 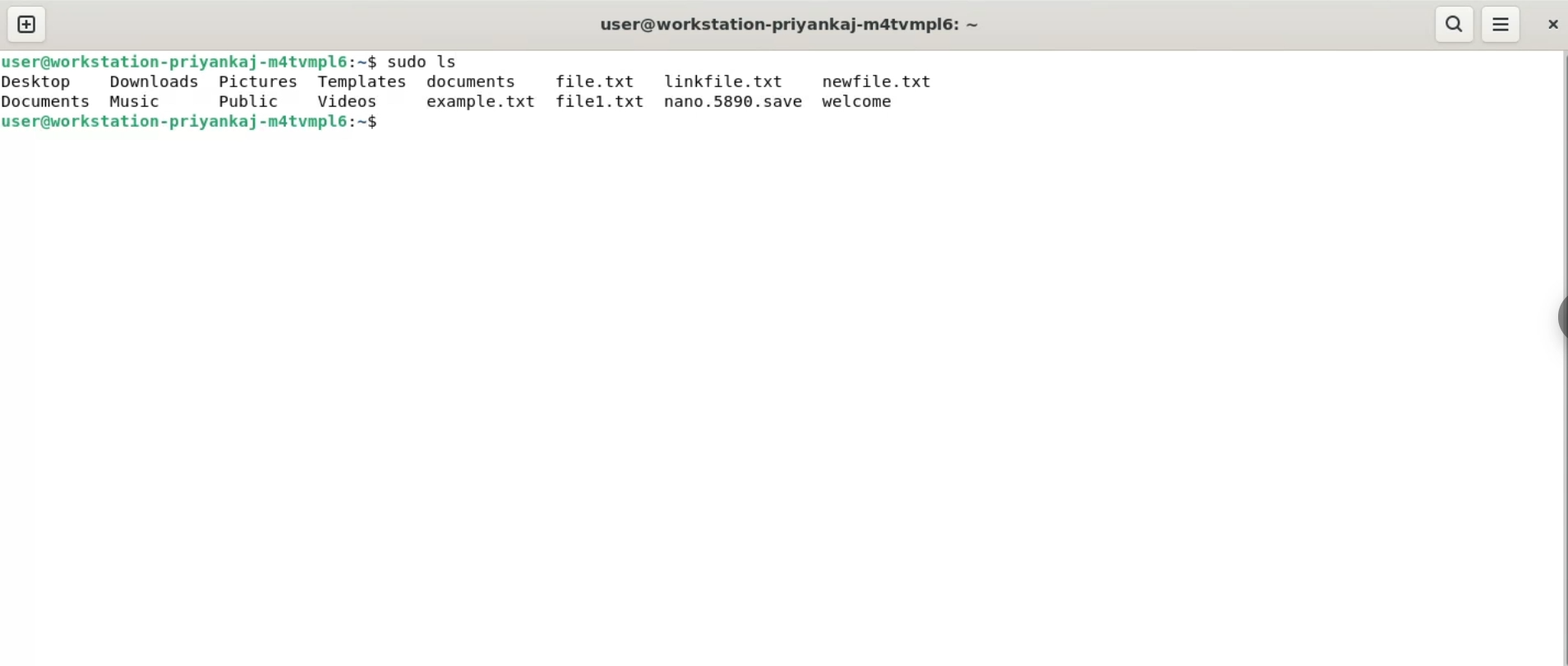 What do you see at coordinates (1453, 24) in the screenshot?
I see `search` at bounding box center [1453, 24].